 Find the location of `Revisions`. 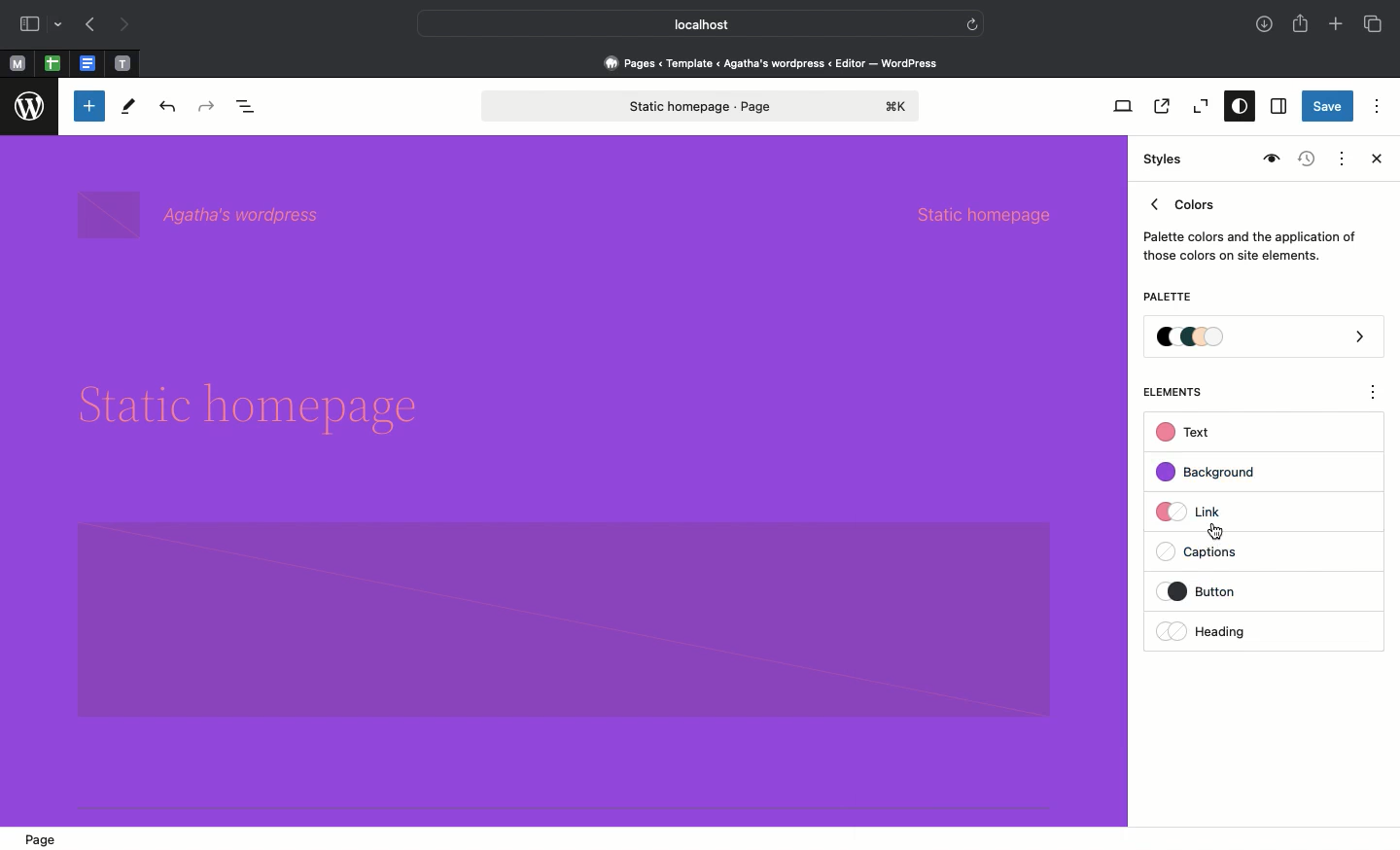

Revisions is located at coordinates (1304, 160).